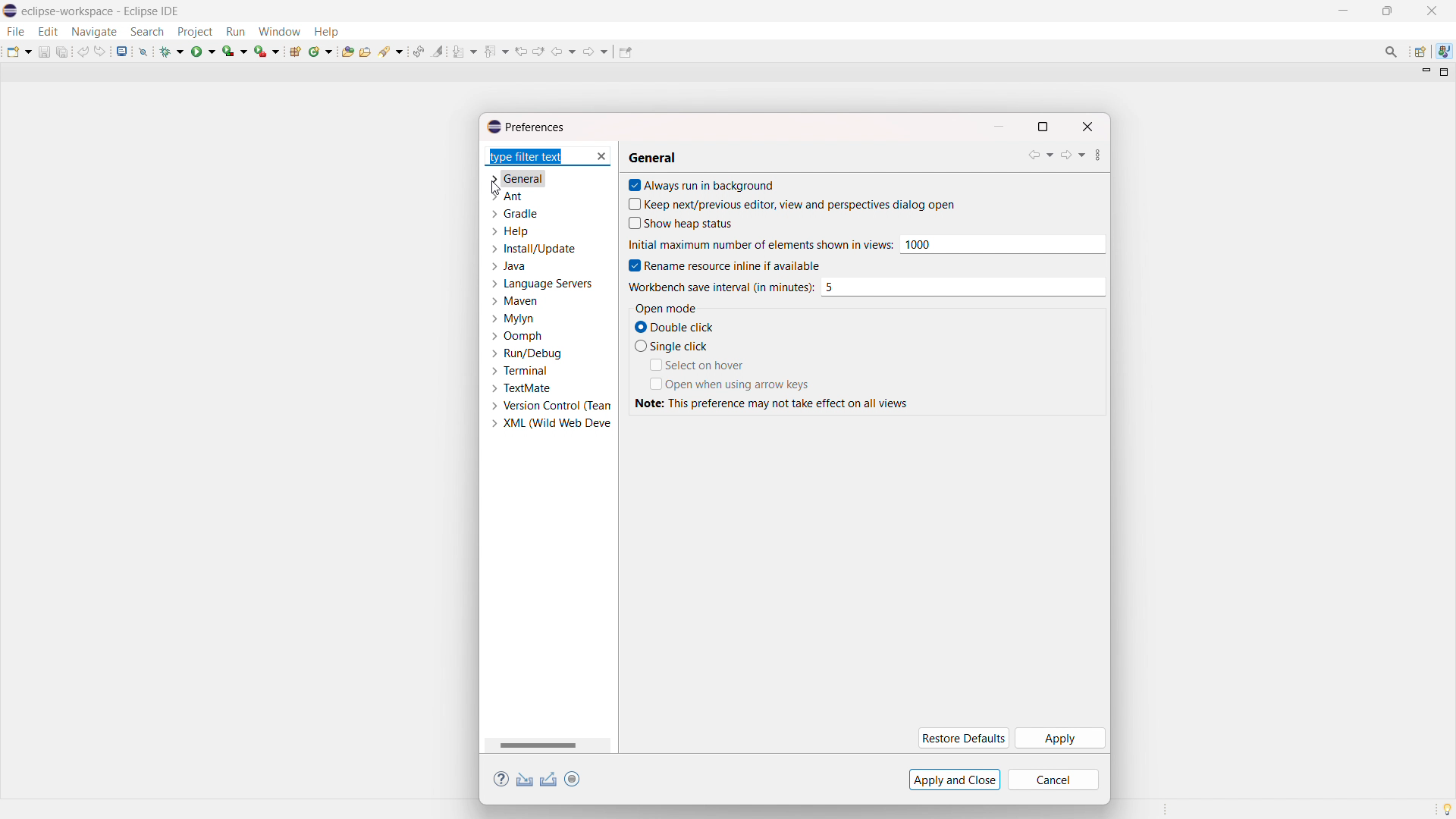 The image size is (1456, 819). What do you see at coordinates (682, 346) in the screenshot?
I see `single click` at bounding box center [682, 346].